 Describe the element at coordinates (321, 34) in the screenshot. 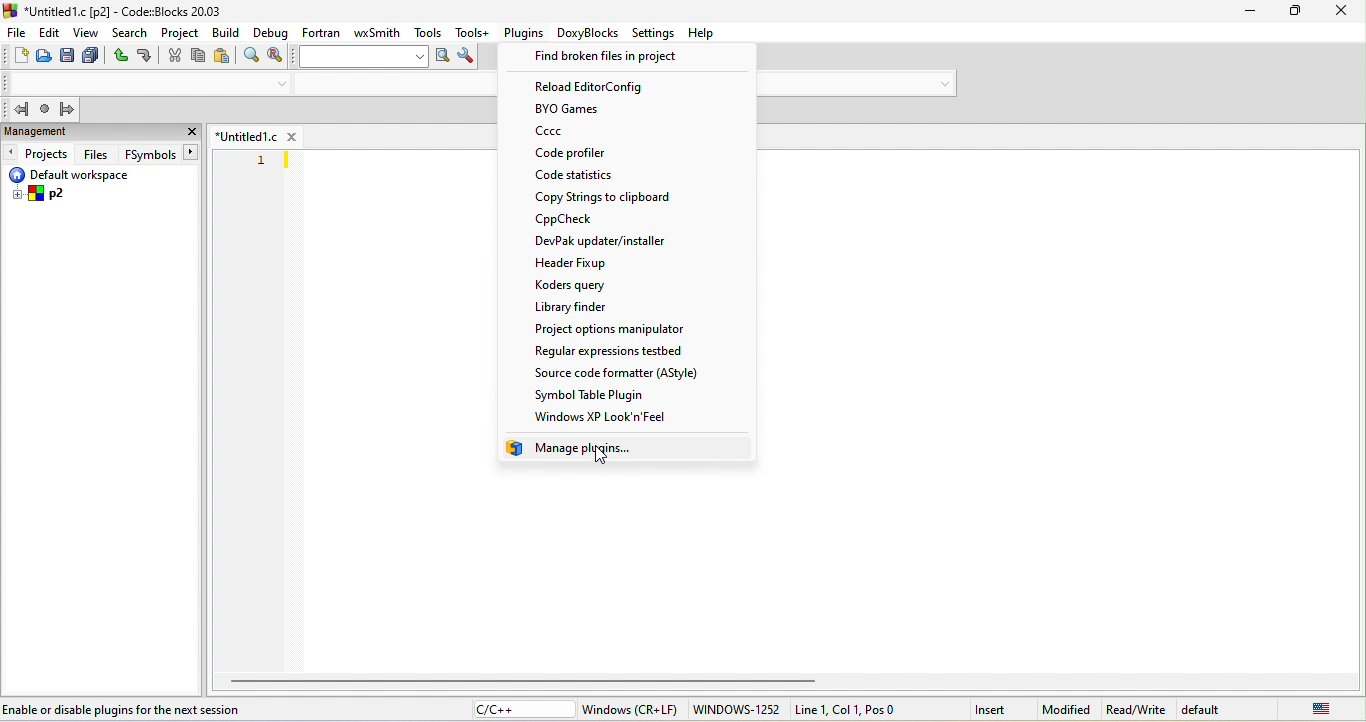

I see `fortran` at that location.